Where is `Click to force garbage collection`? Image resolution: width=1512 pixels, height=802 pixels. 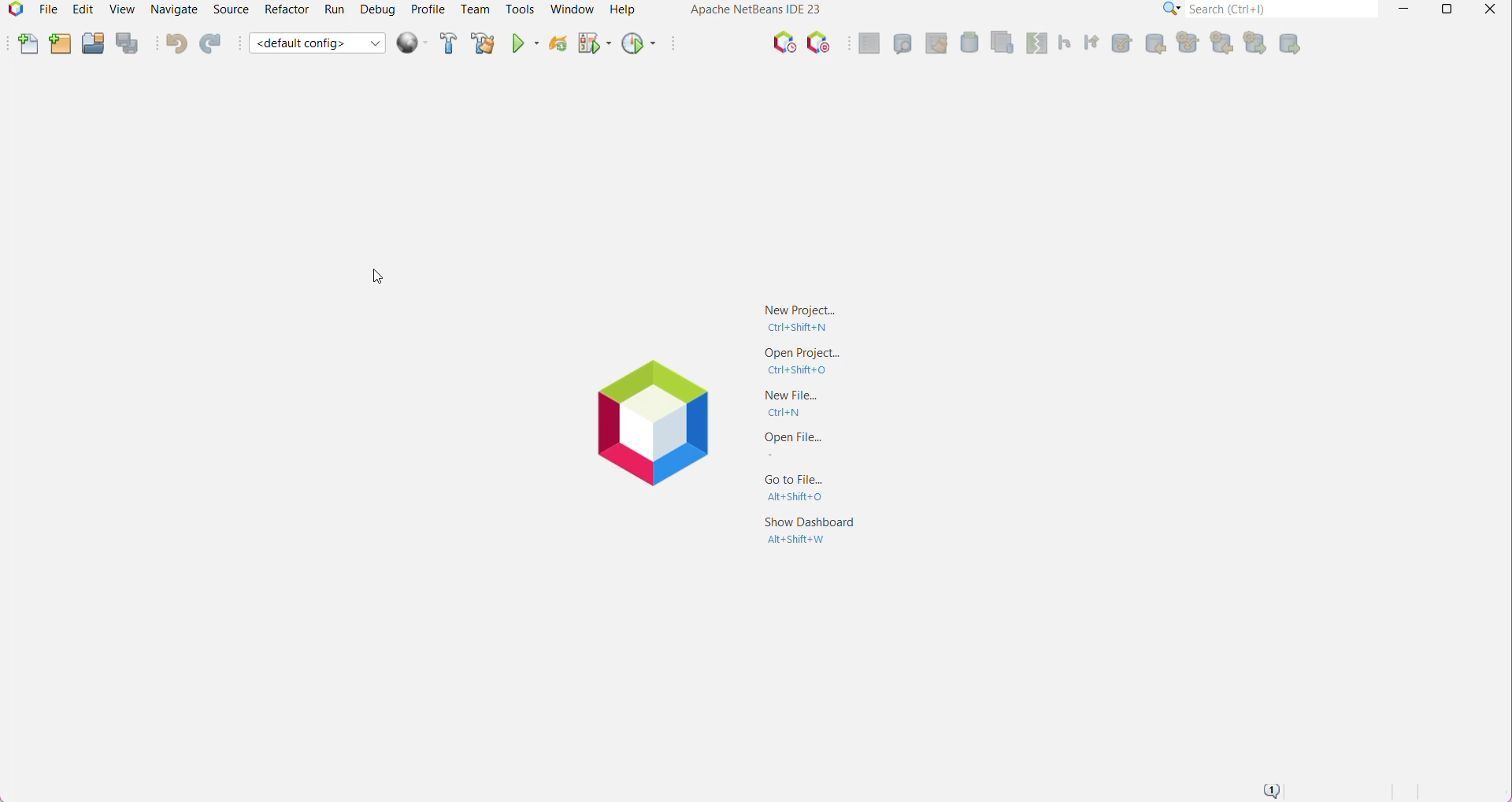 Click to force garbage collection is located at coordinates (724, 43).